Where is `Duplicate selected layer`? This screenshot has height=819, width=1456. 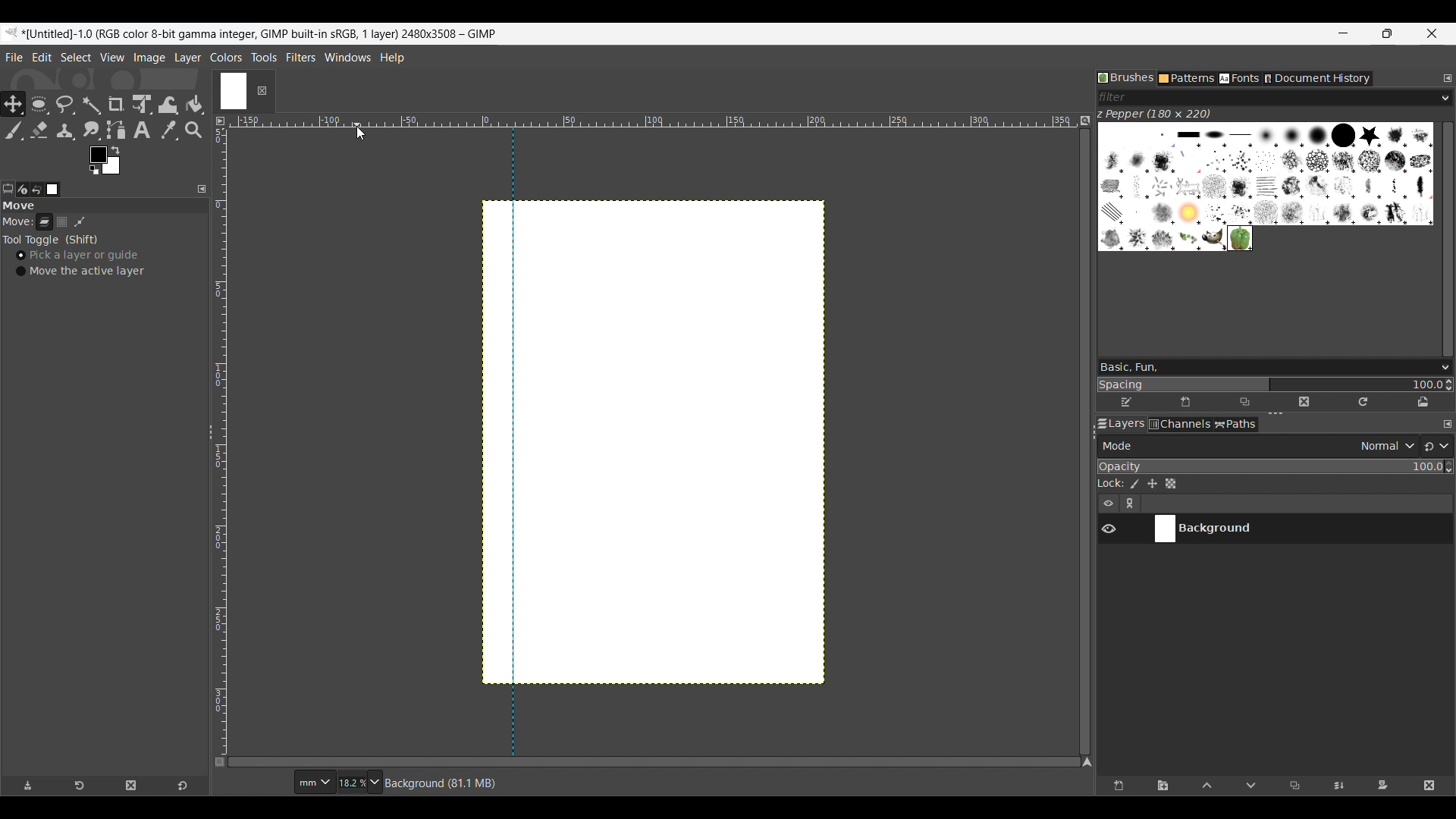 Duplicate selected layer is located at coordinates (1294, 786).